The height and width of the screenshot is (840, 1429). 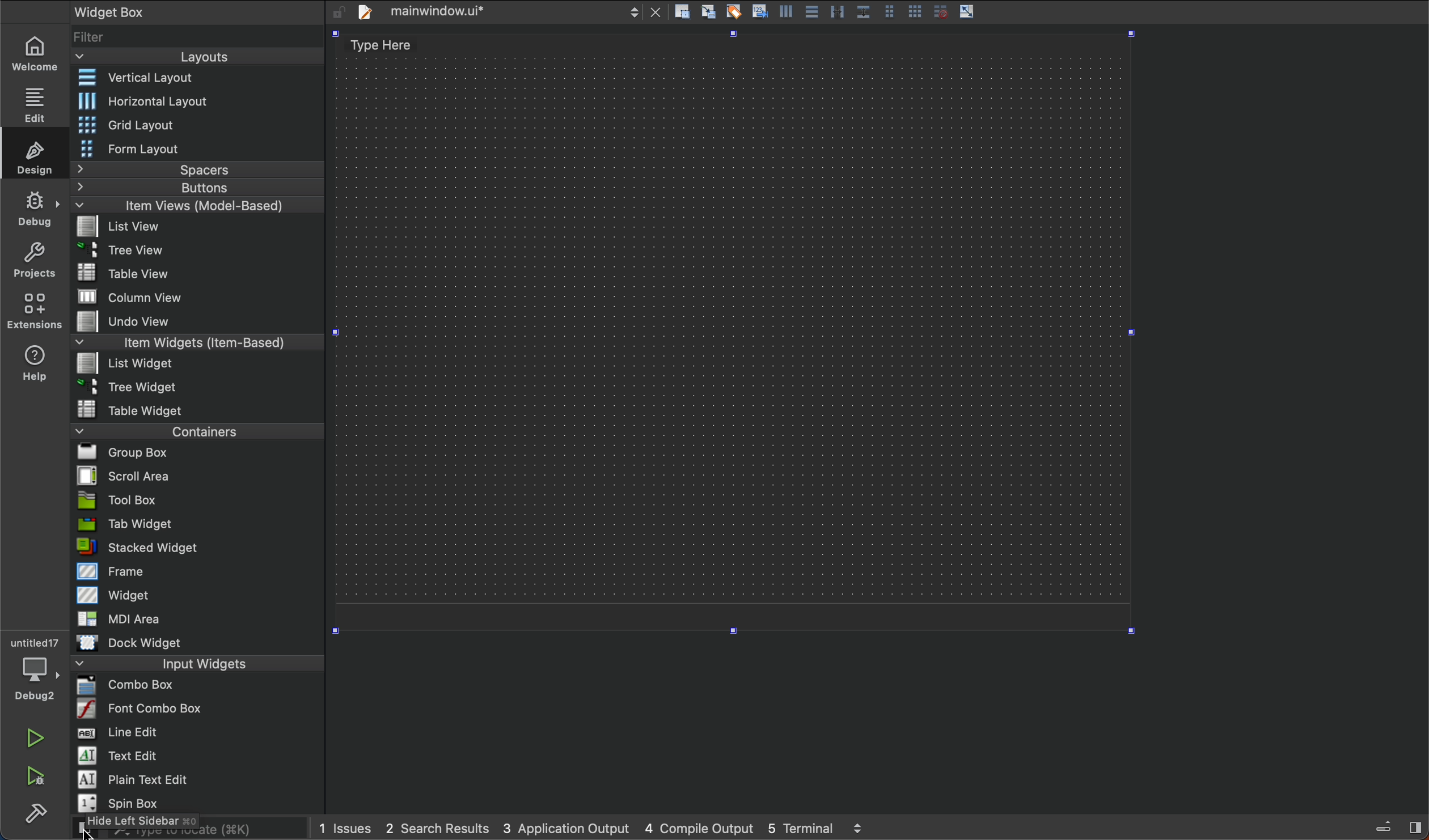 What do you see at coordinates (122, 252) in the screenshot?
I see `the view` at bounding box center [122, 252].